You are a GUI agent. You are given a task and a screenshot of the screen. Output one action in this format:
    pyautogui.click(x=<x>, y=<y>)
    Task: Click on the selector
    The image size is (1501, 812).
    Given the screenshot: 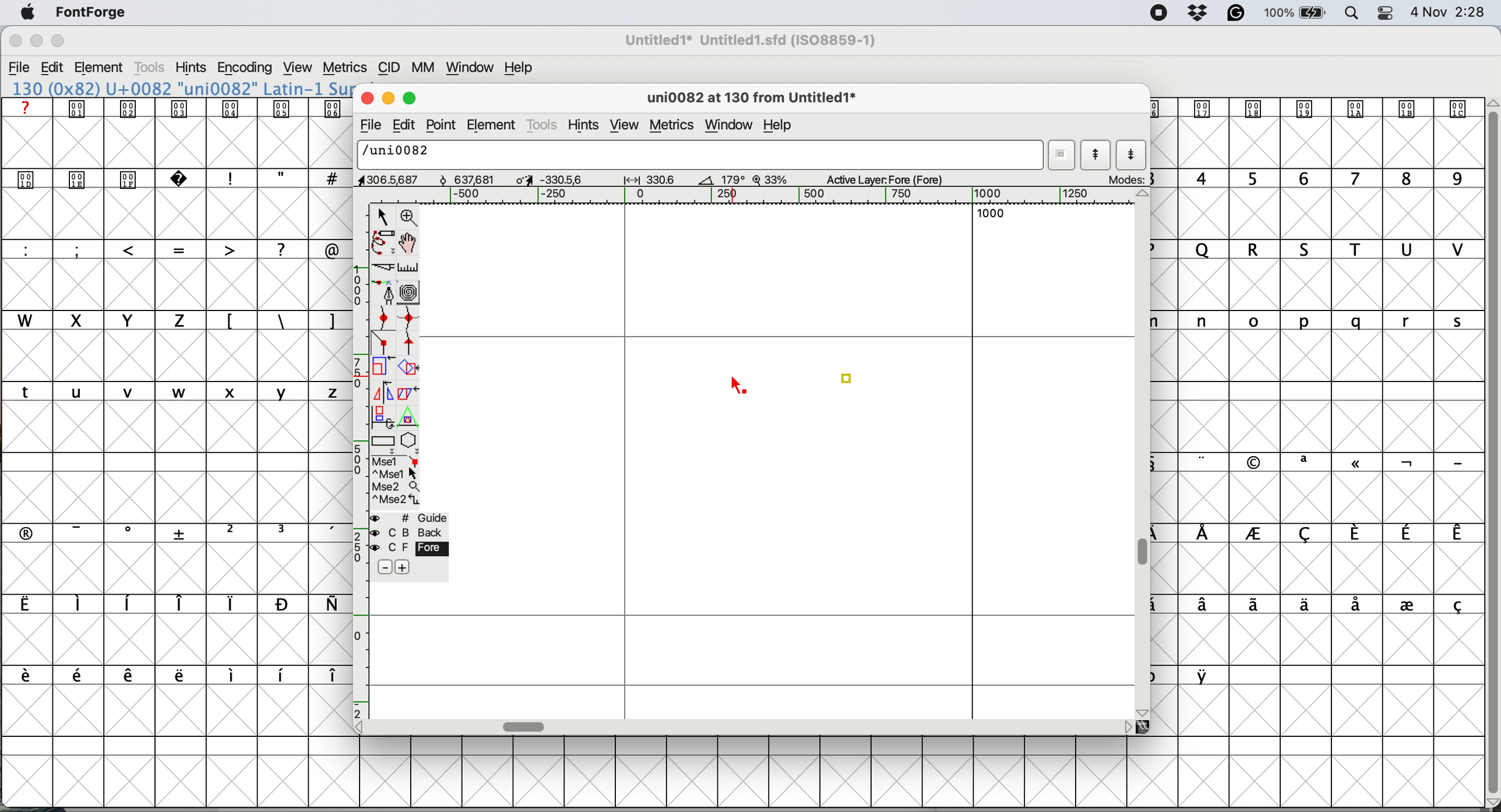 What is the action you would take?
    pyautogui.click(x=382, y=218)
    